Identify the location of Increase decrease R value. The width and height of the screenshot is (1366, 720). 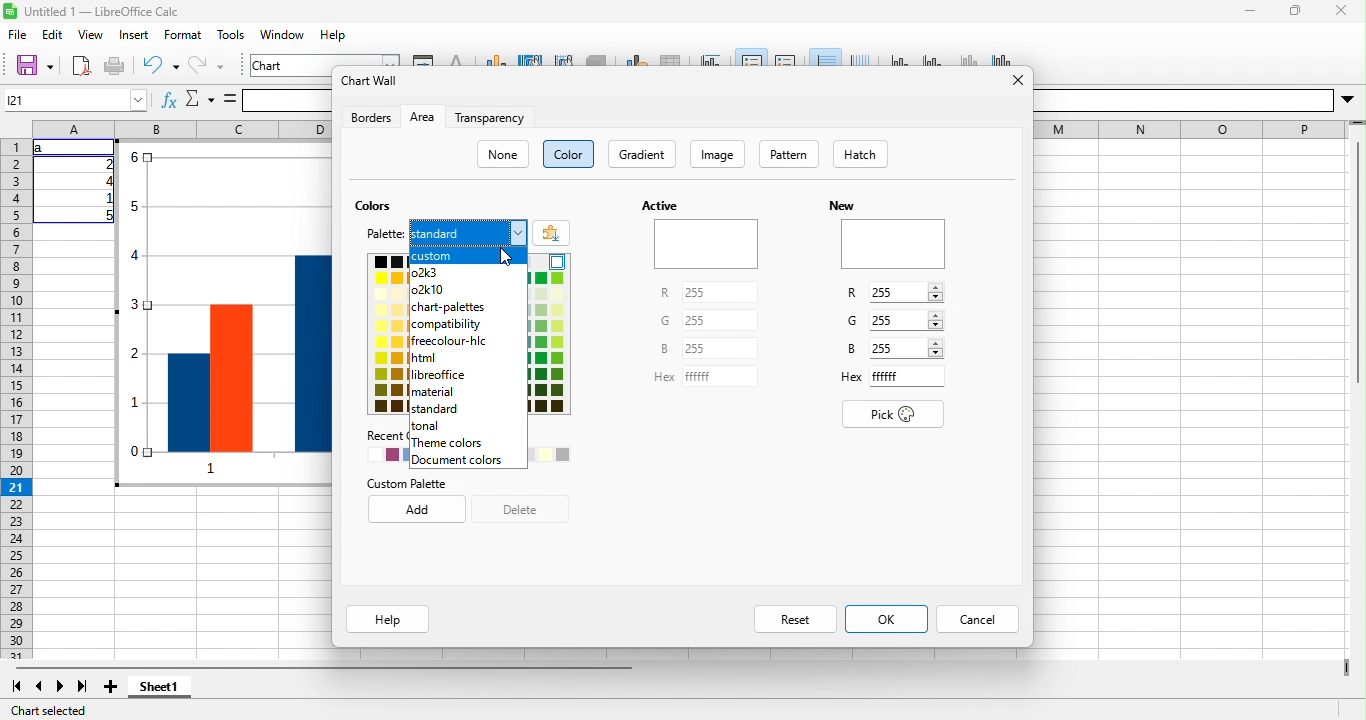
(936, 292).